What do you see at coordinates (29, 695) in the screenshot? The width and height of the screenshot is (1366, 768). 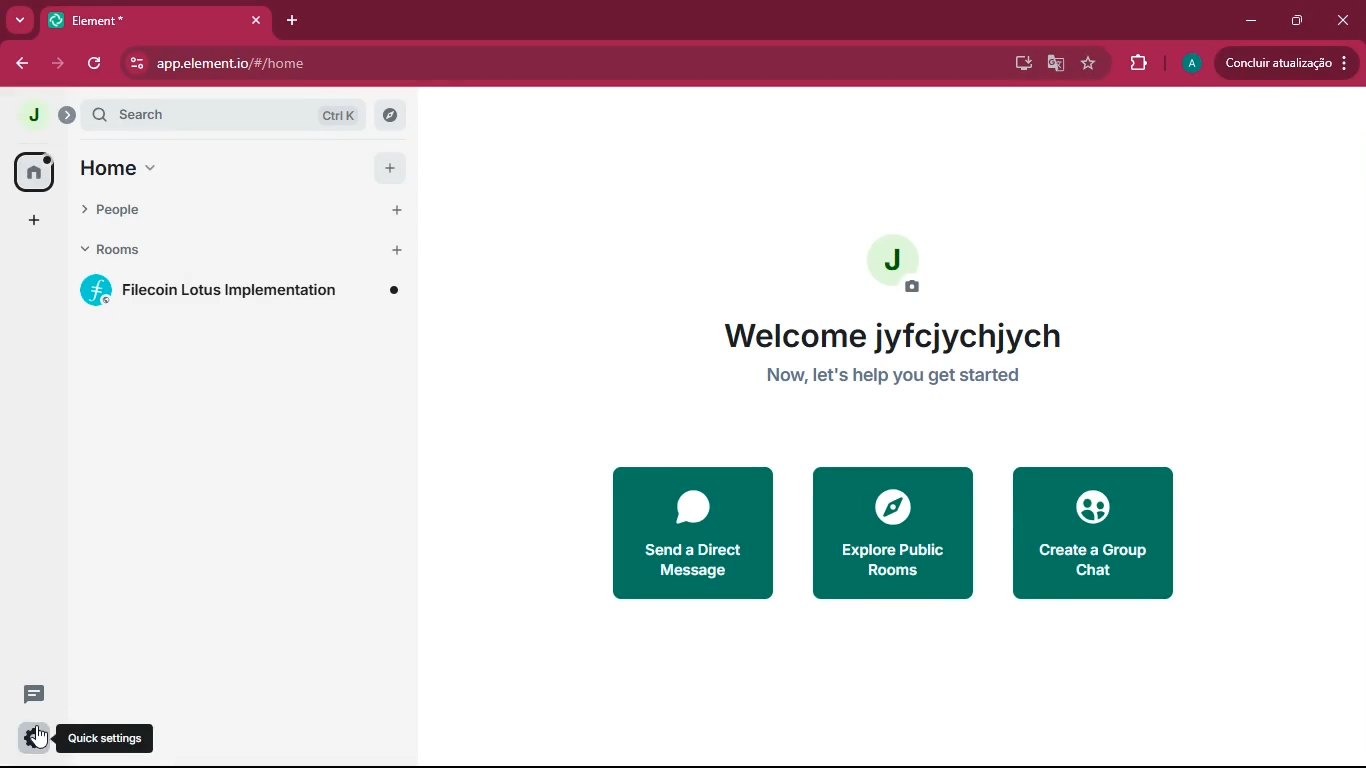 I see `message` at bounding box center [29, 695].